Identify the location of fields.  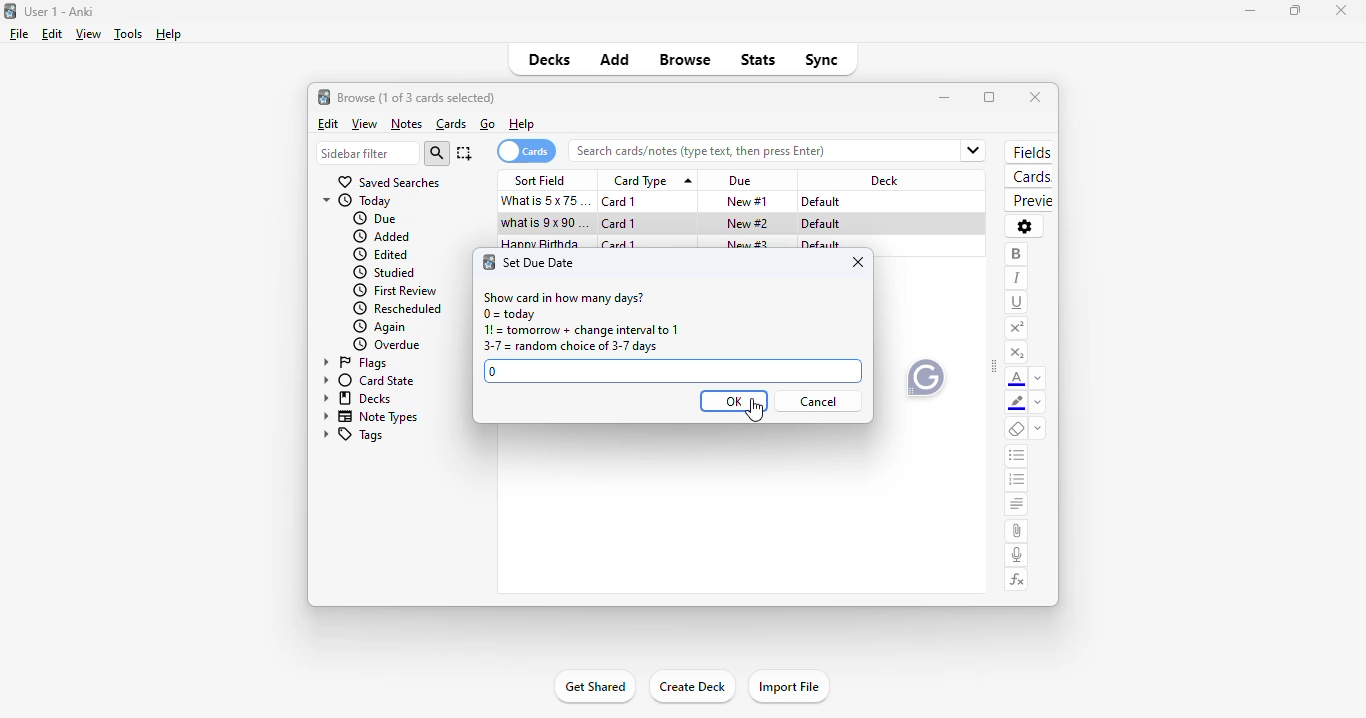
(1029, 152).